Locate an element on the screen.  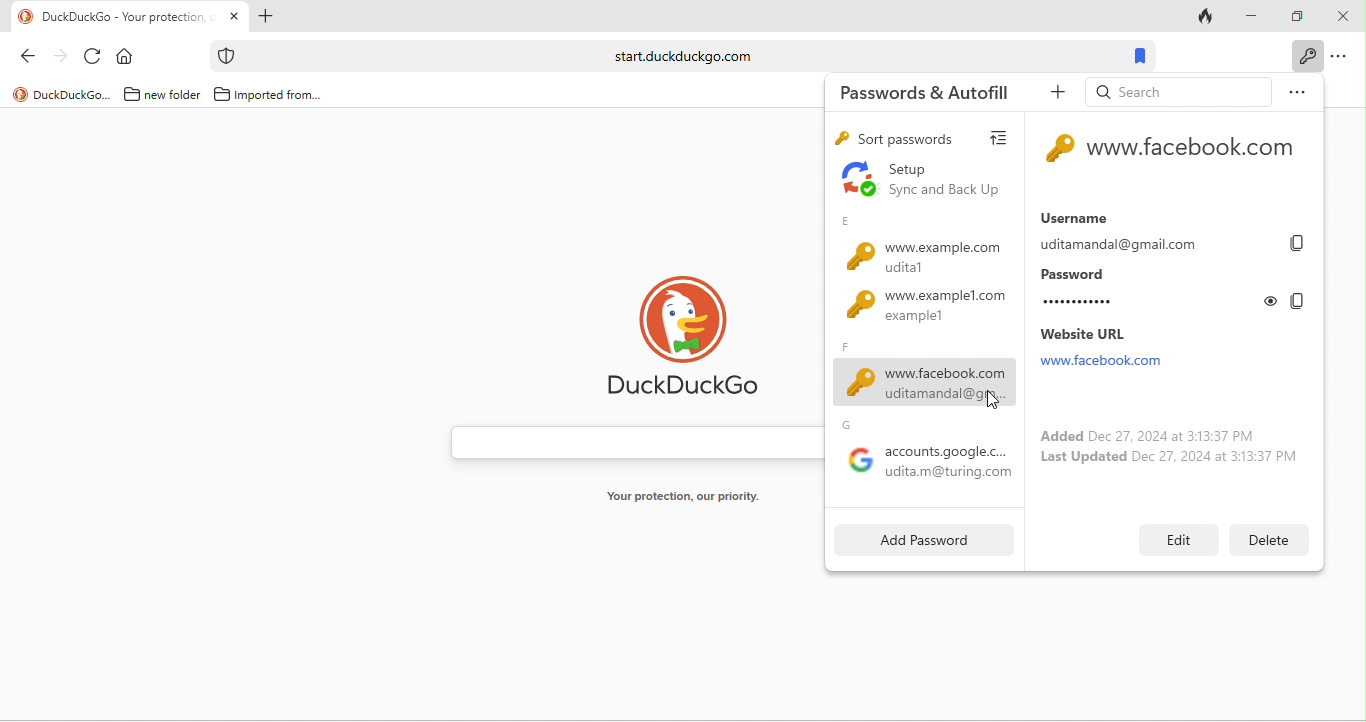
website url is located at coordinates (1122, 348).